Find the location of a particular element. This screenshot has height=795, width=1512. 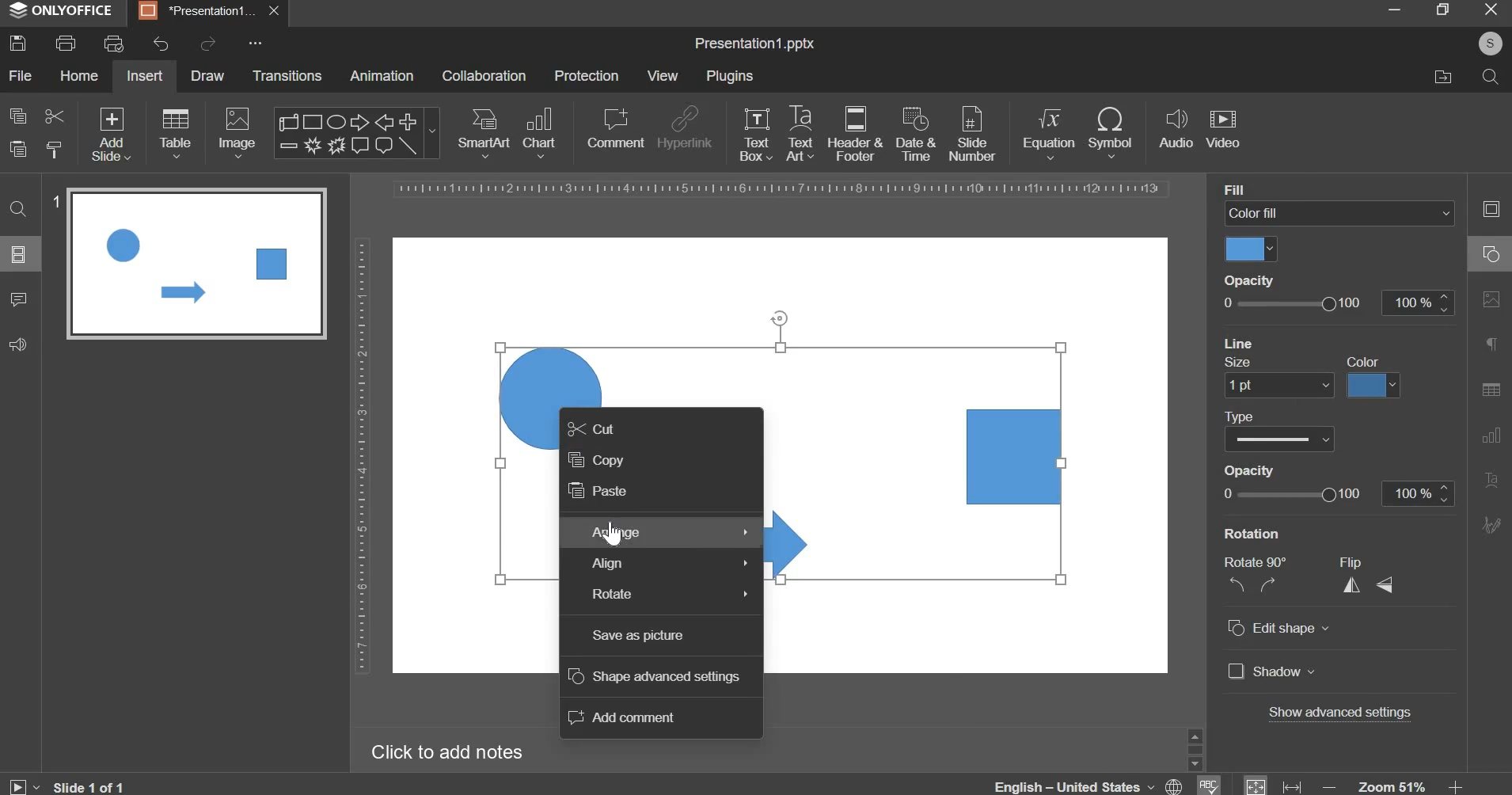

video is located at coordinates (1223, 130).